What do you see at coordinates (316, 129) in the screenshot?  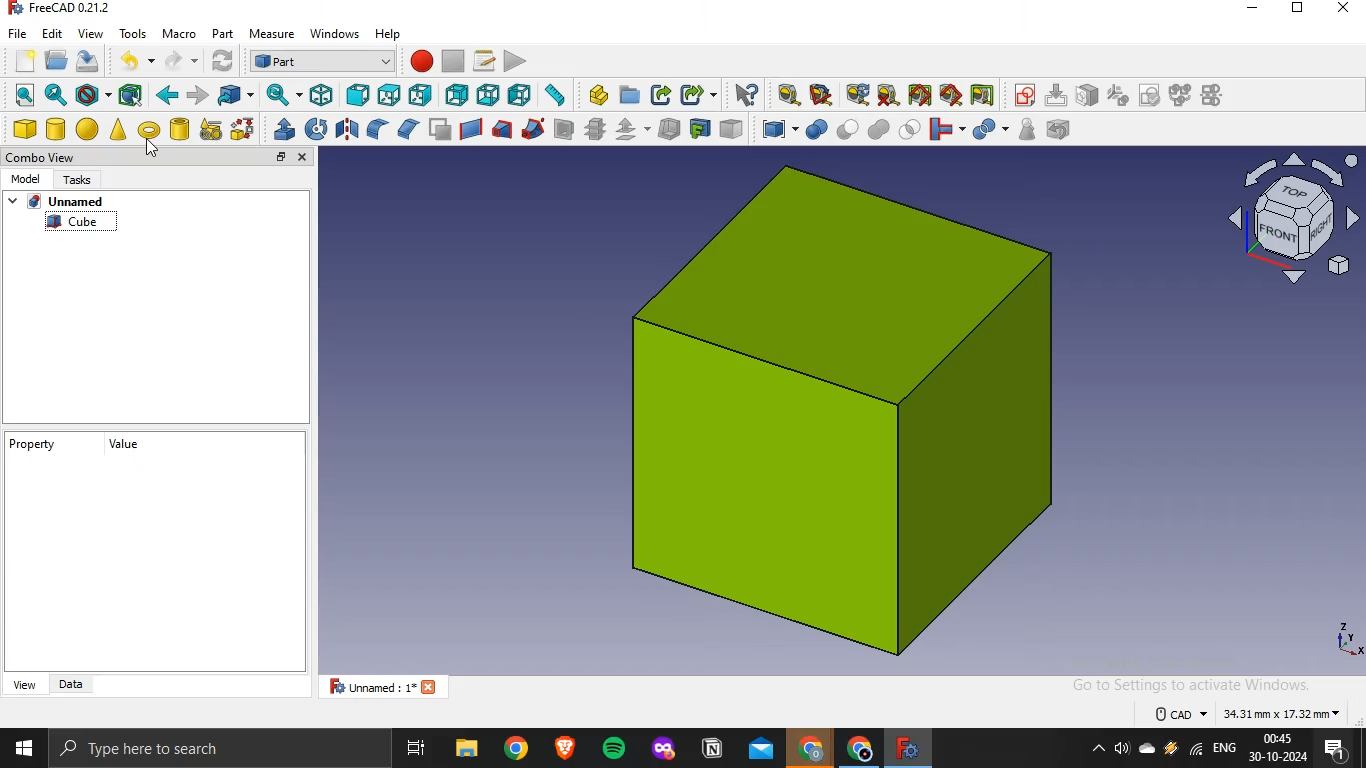 I see `revolve` at bounding box center [316, 129].